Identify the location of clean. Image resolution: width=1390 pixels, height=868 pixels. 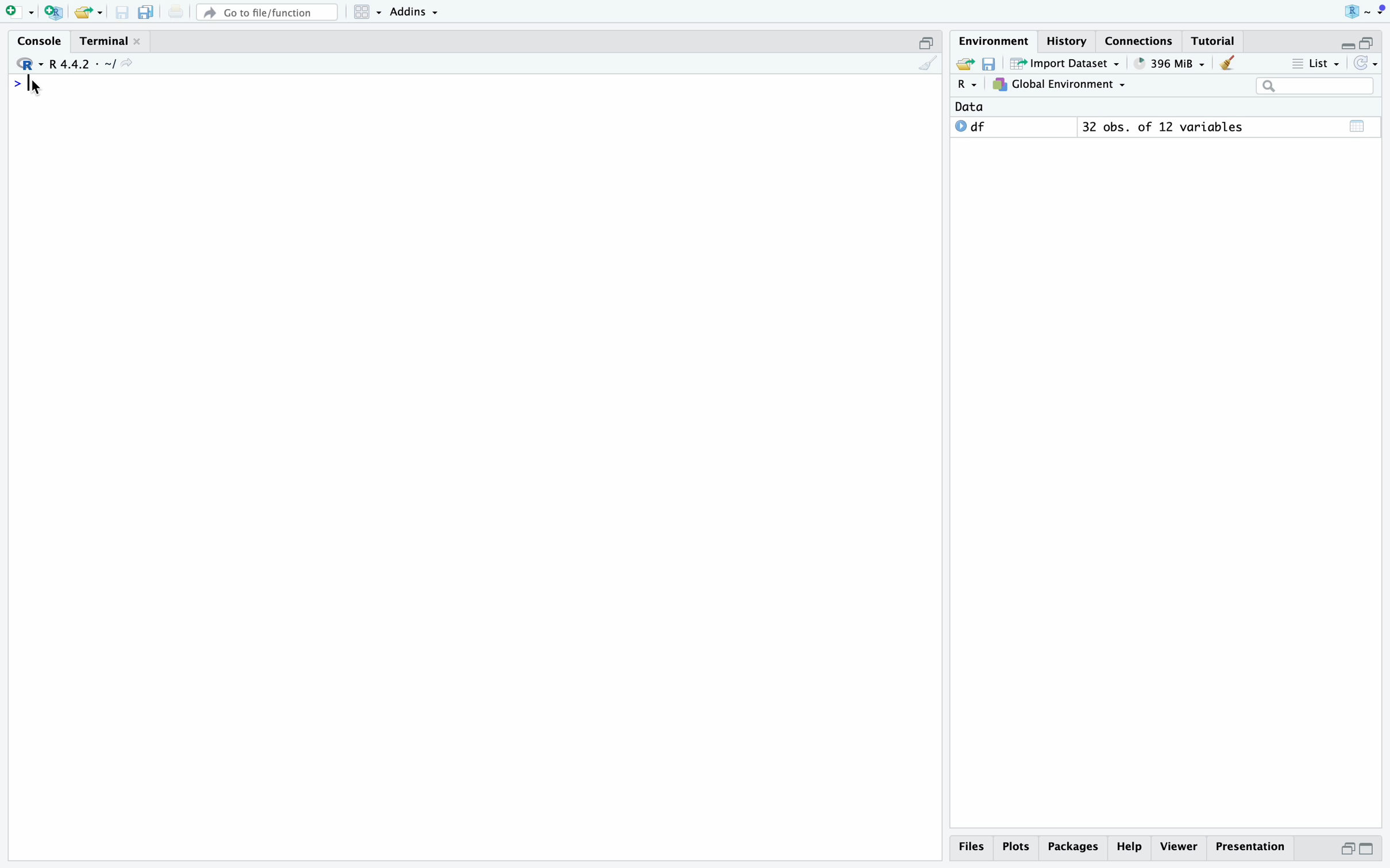
(1226, 63).